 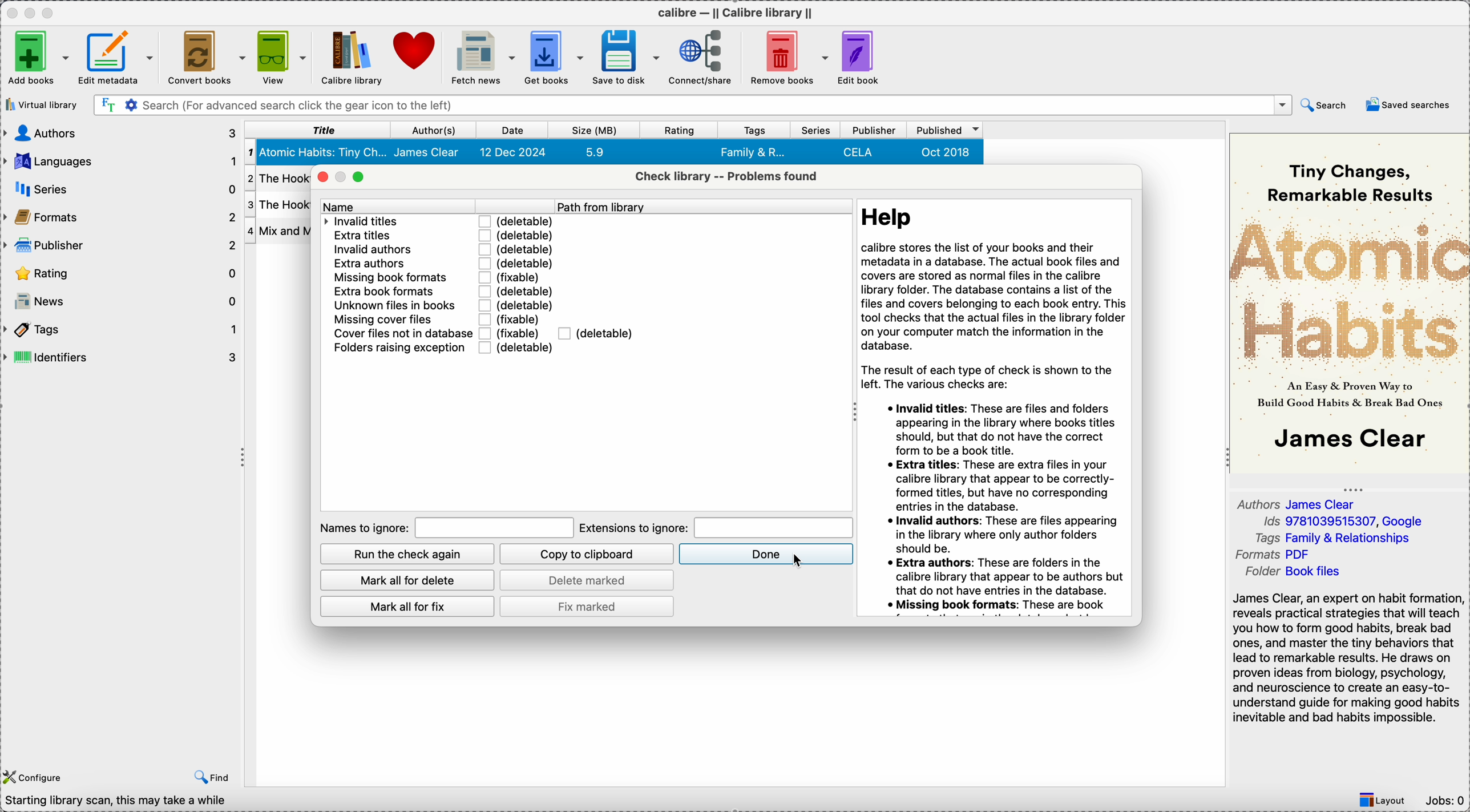 What do you see at coordinates (671, 106) in the screenshot?
I see `search bar` at bounding box center [671, 106].